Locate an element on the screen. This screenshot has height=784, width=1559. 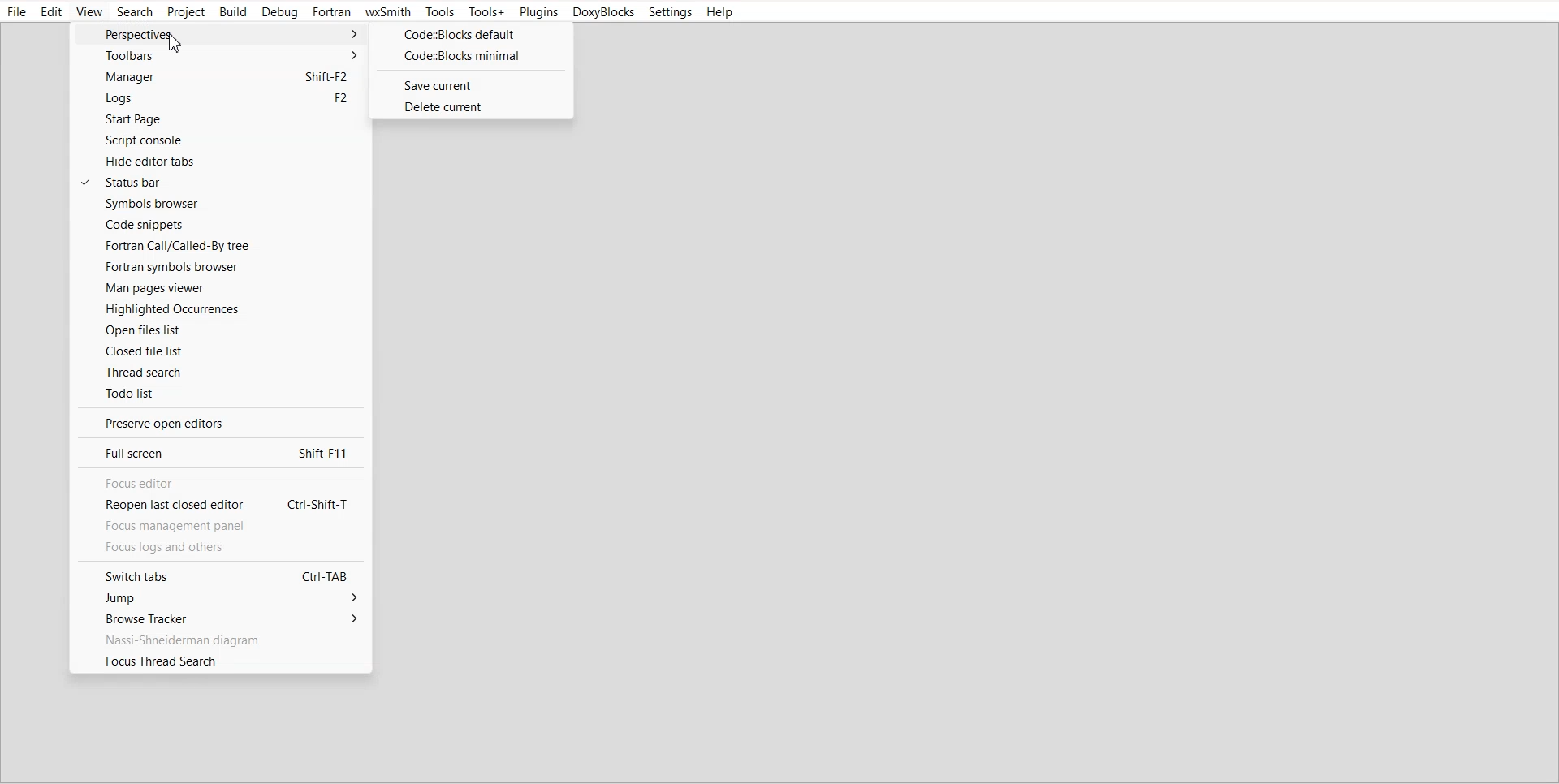
Build is located at coordinates (234, 12).